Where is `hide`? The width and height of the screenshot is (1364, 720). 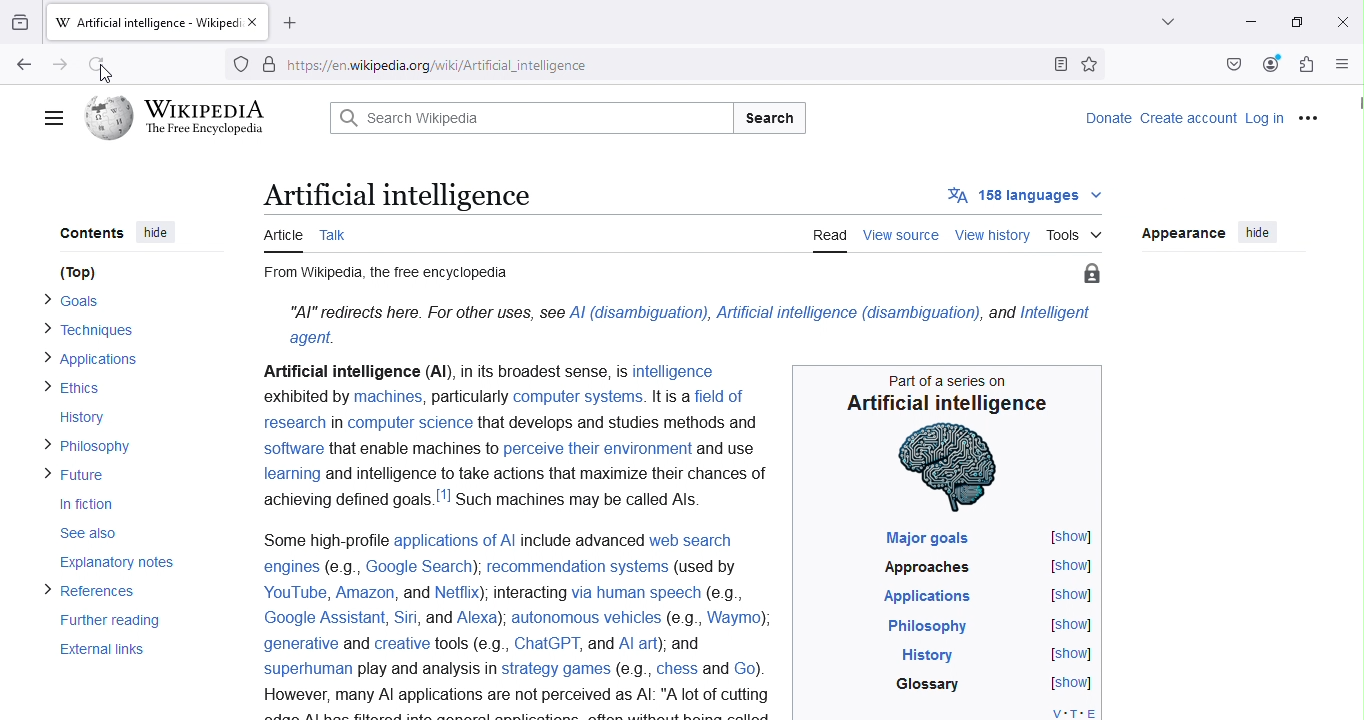 hide is located at coordinates (154, 235).